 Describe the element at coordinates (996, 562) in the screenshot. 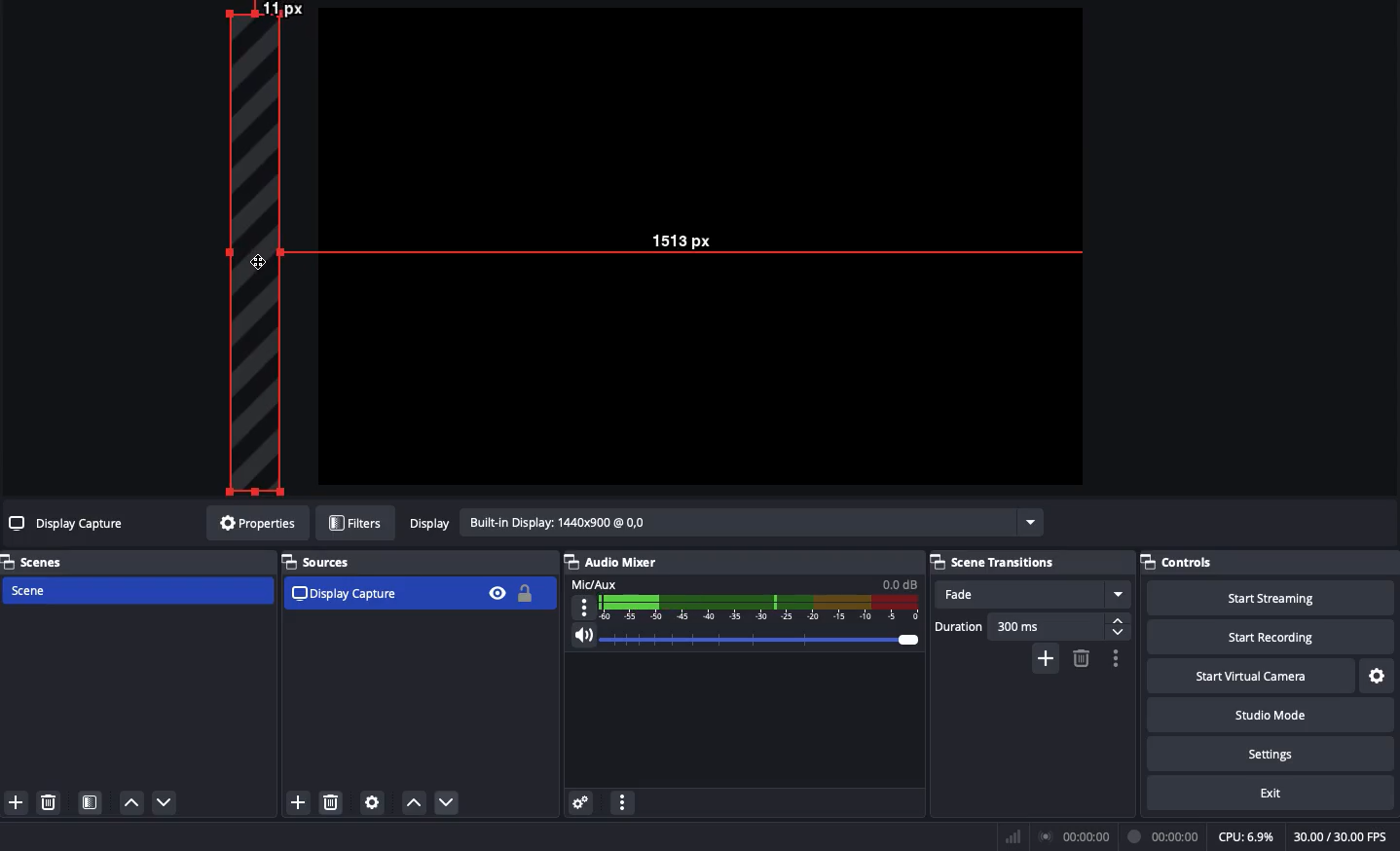

I see `Scene transition` at that location.